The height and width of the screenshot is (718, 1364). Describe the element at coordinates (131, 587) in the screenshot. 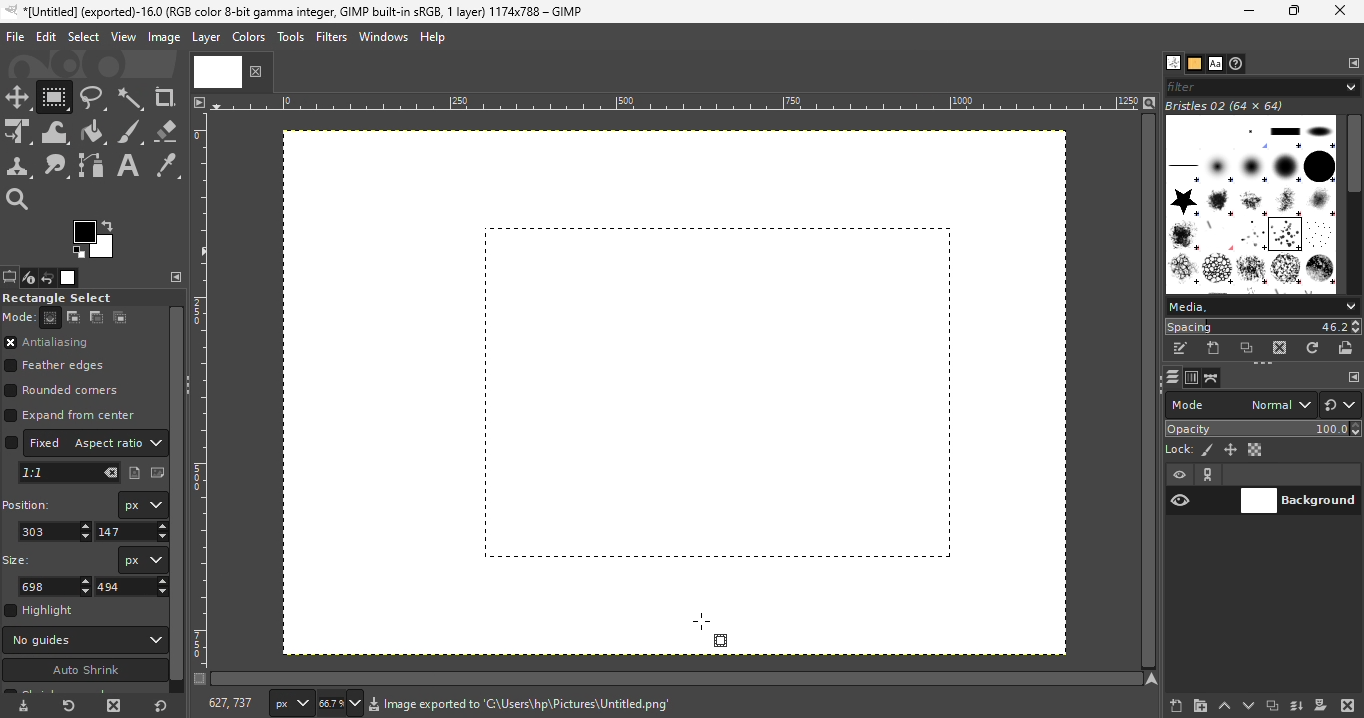

I see `494` at that location.